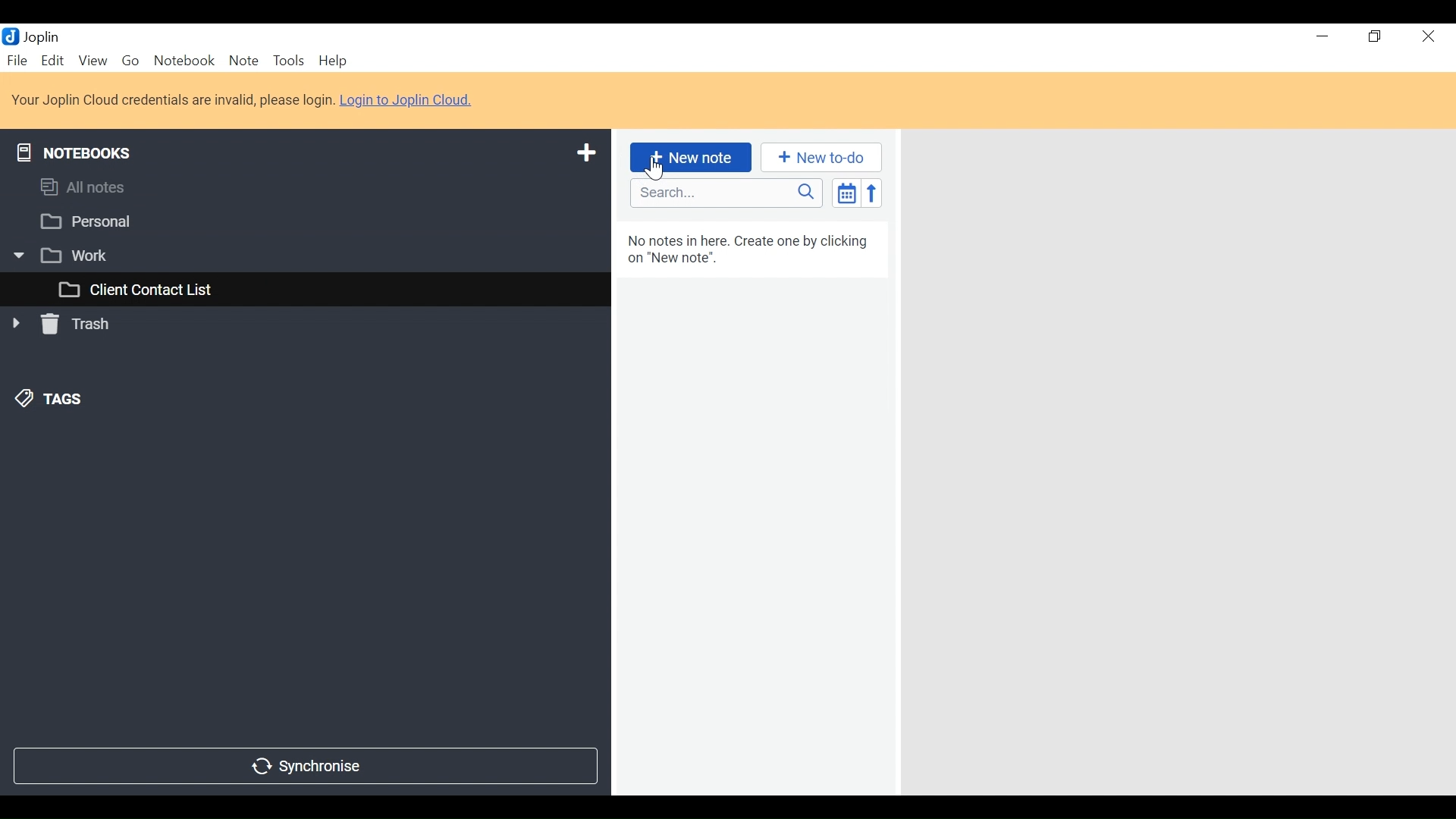 The height and width of the screenshot is (819, 1456). What do you see at coordinates (304, 290) in the screenshot?
I see `Client Contact List` at bounding box center [304, 290].